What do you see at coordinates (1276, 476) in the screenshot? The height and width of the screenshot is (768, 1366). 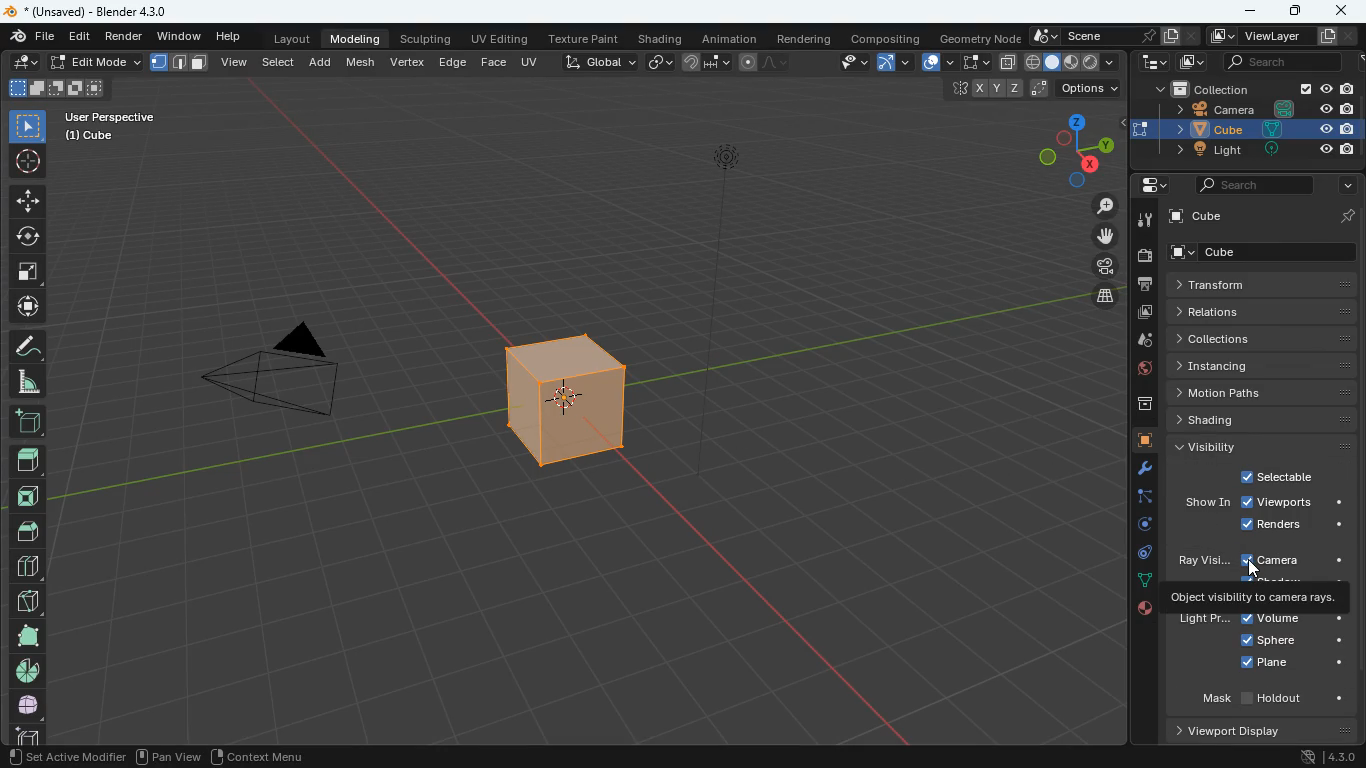 I see `selectable` at bounding box center [1276, 476].